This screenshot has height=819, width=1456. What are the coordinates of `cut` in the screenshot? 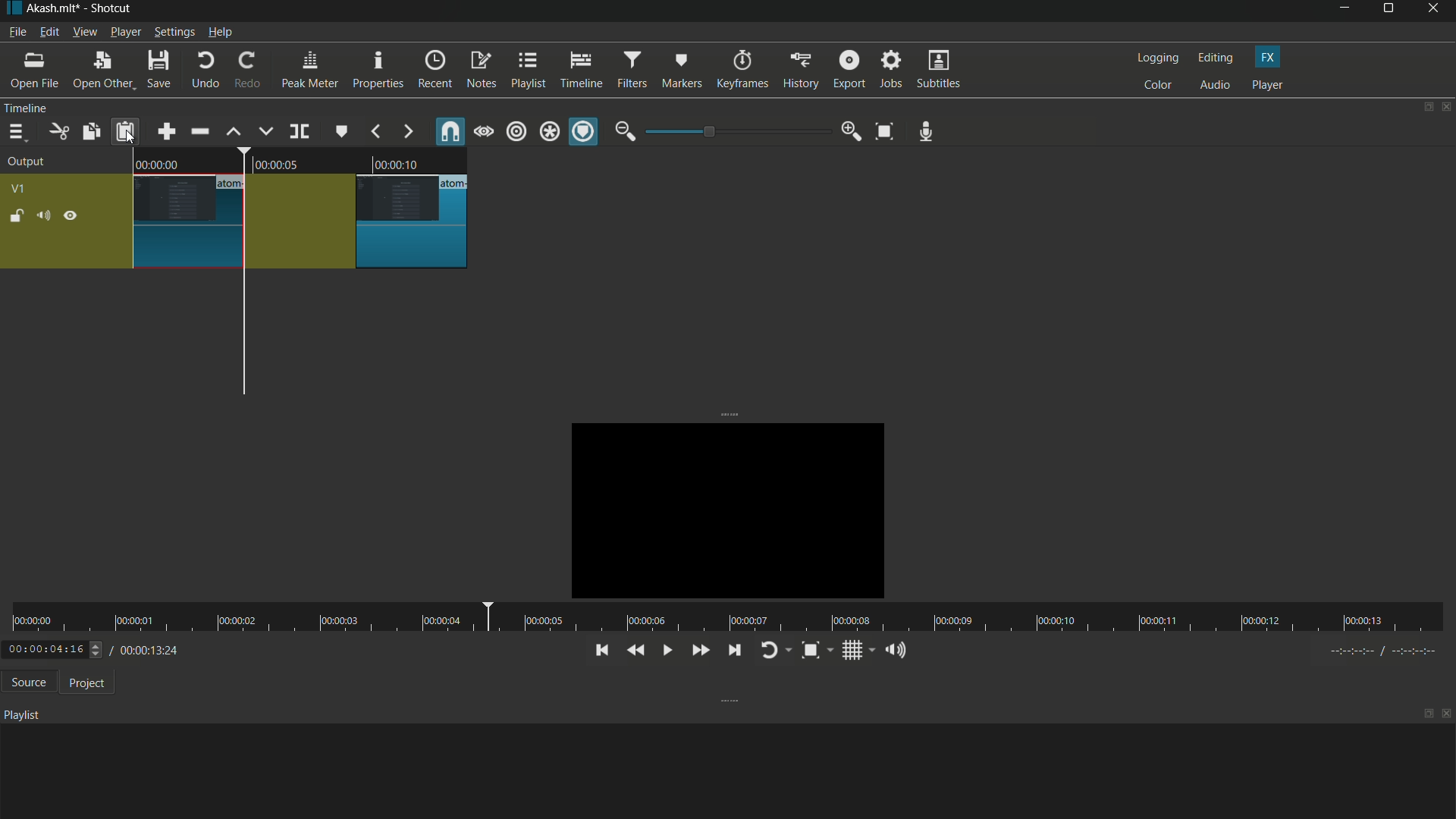 It's located at (57, 132).